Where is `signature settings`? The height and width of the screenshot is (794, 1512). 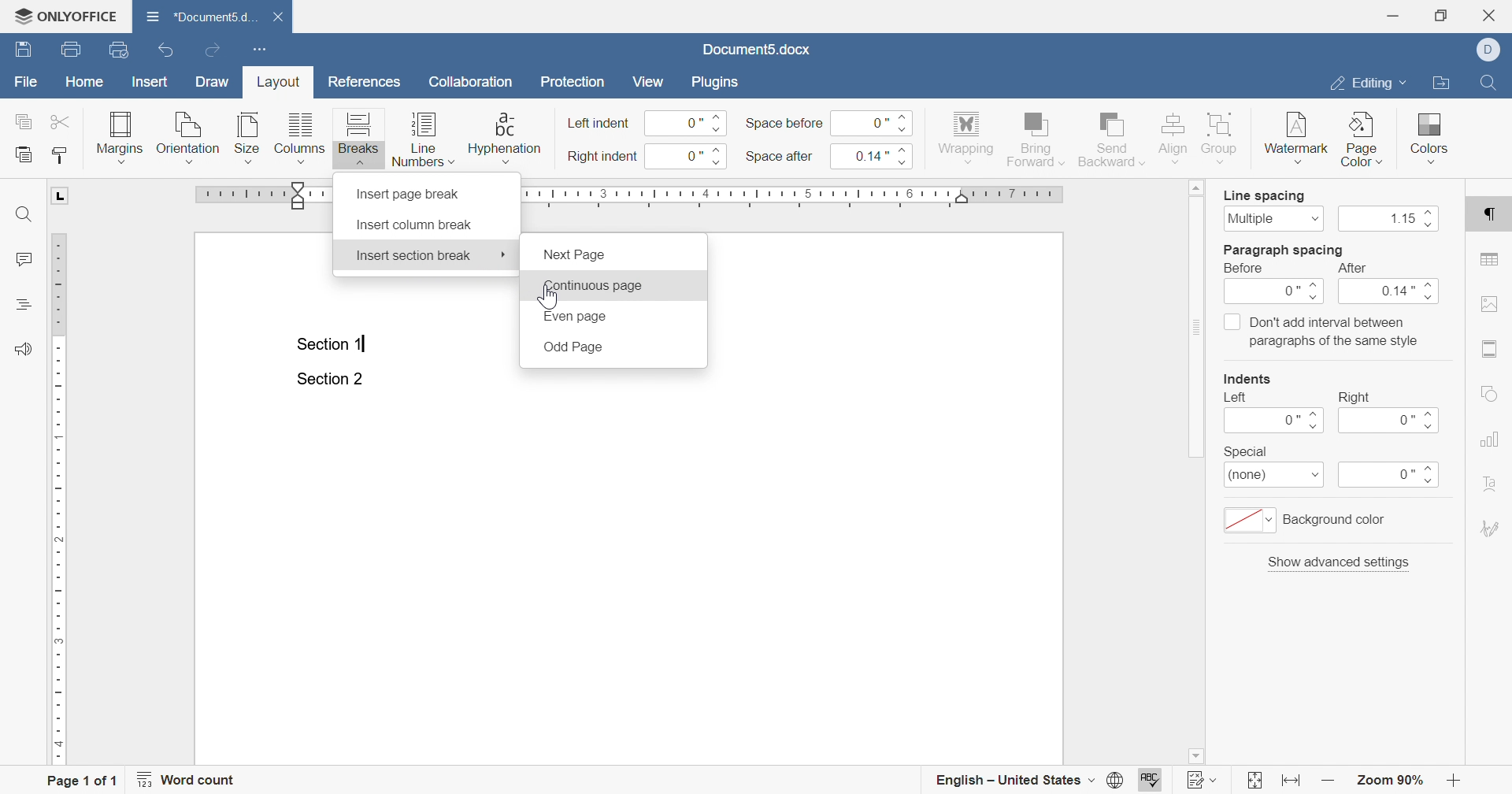
signature settings is located at coordinates (1489, 529).